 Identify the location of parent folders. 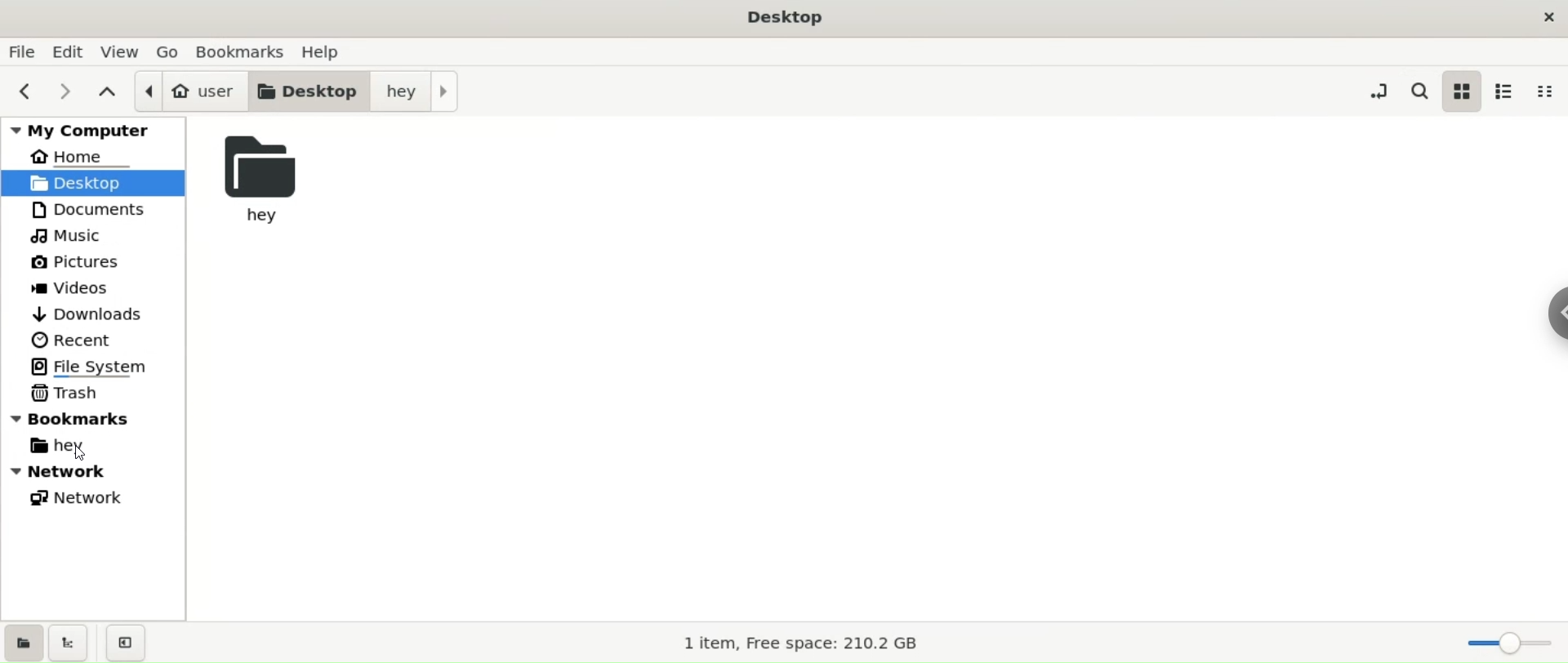
(109, 91).